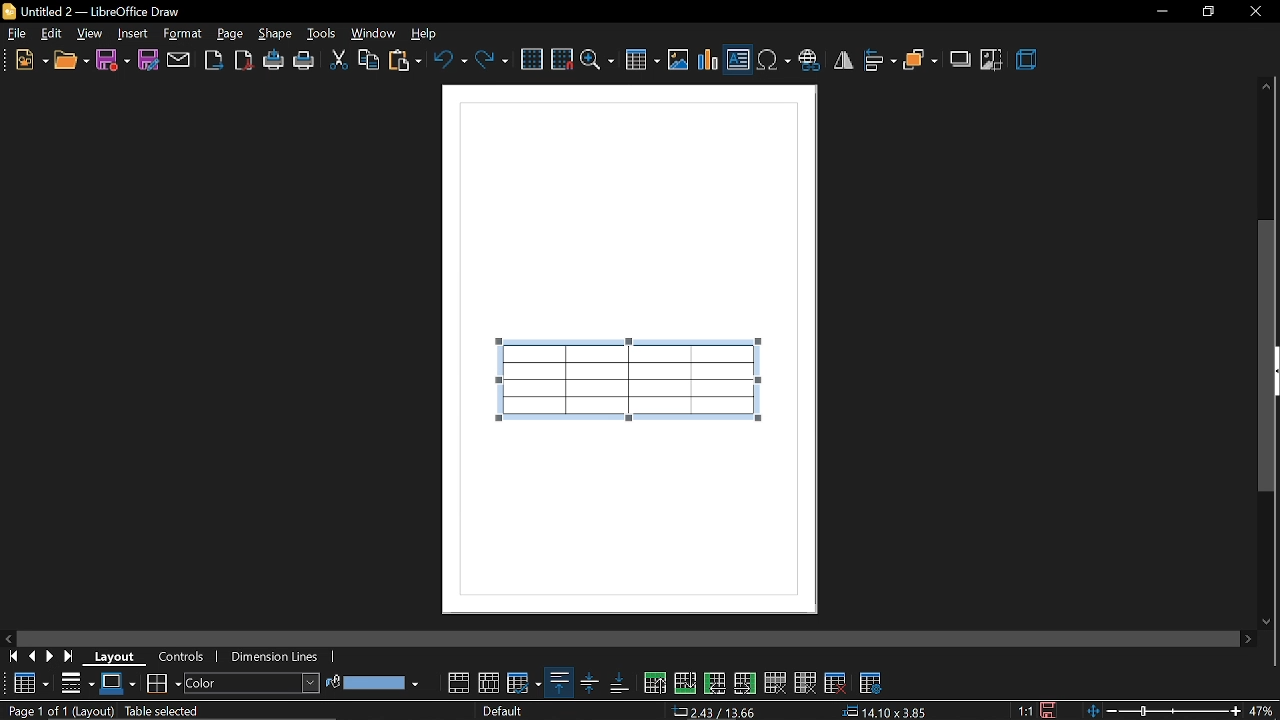 This screenshot has width=1280, height=720. I want to click on close, so click(1254, 14).